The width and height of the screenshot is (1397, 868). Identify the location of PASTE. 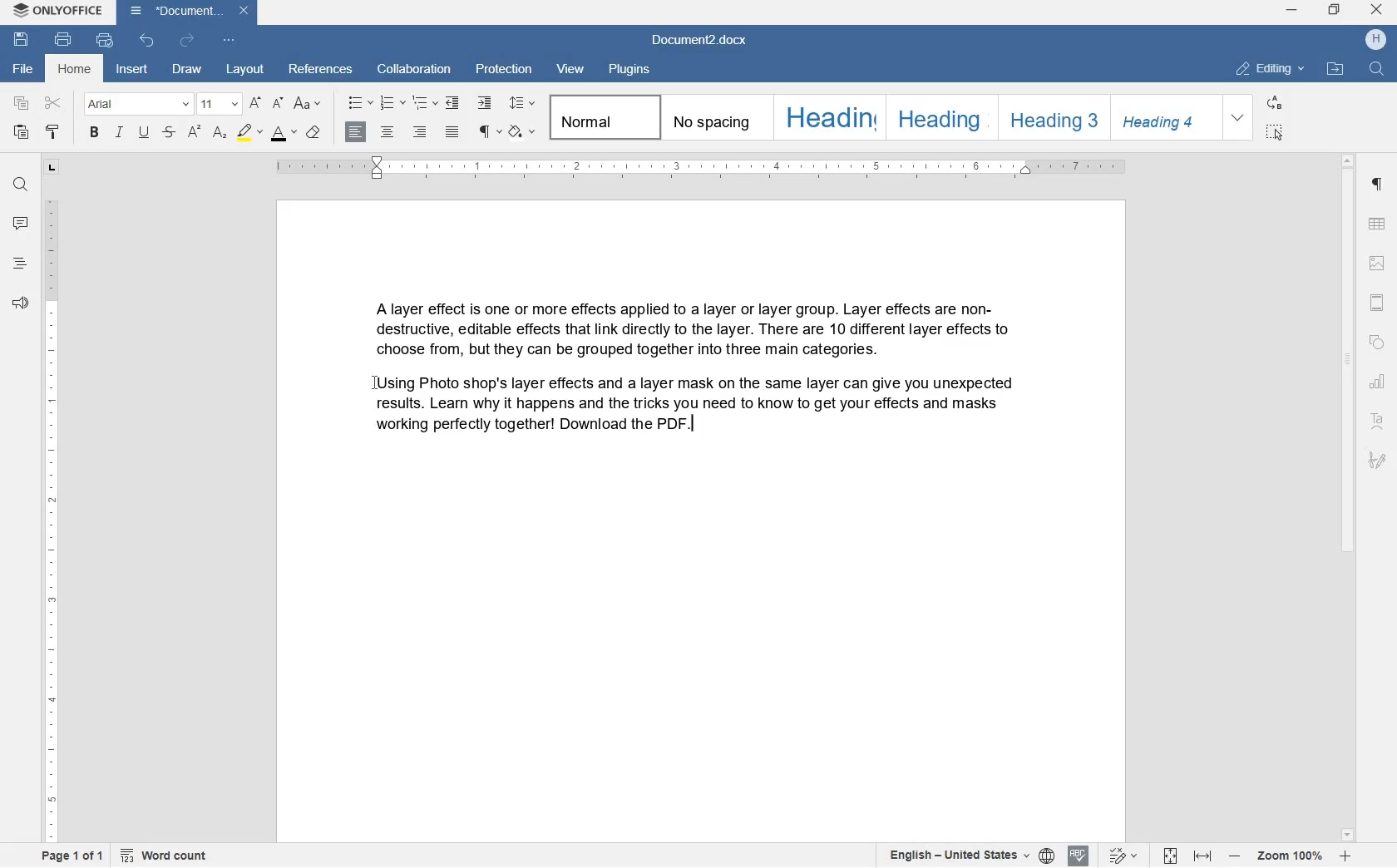
(23, 134).